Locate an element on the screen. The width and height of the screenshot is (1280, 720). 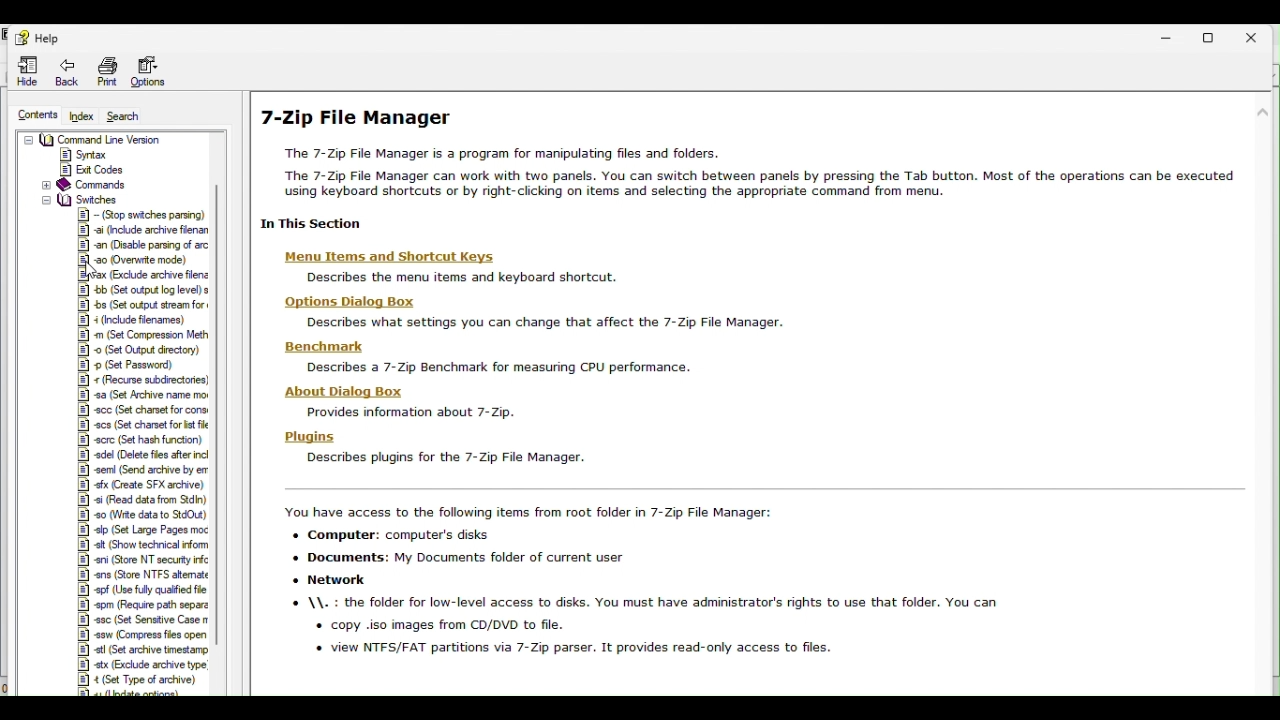
Hons Di: is located at coordinates (352, 302).